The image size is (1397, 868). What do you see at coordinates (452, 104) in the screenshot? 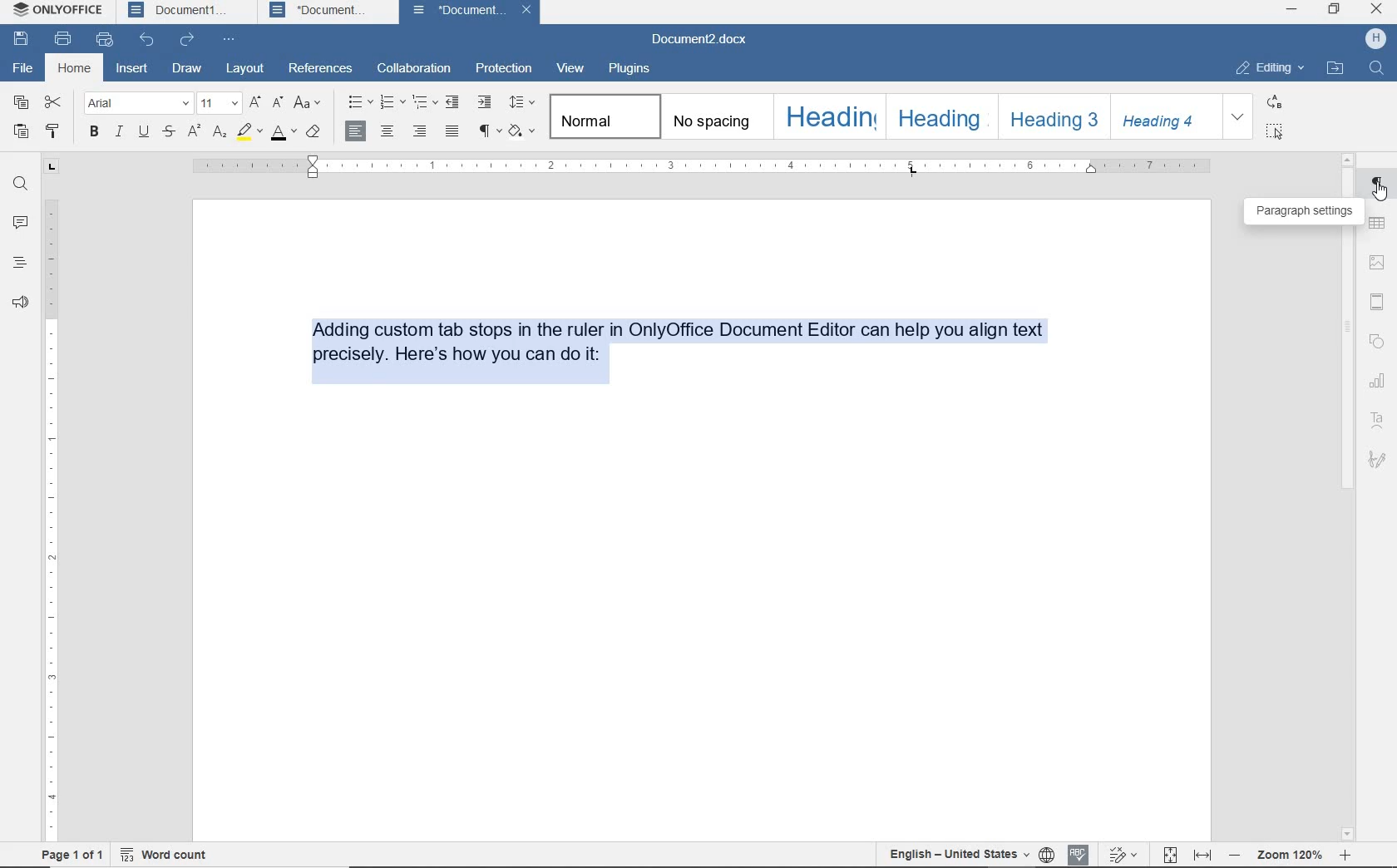
I see `decrease indent` at bounding box center [452, 104].